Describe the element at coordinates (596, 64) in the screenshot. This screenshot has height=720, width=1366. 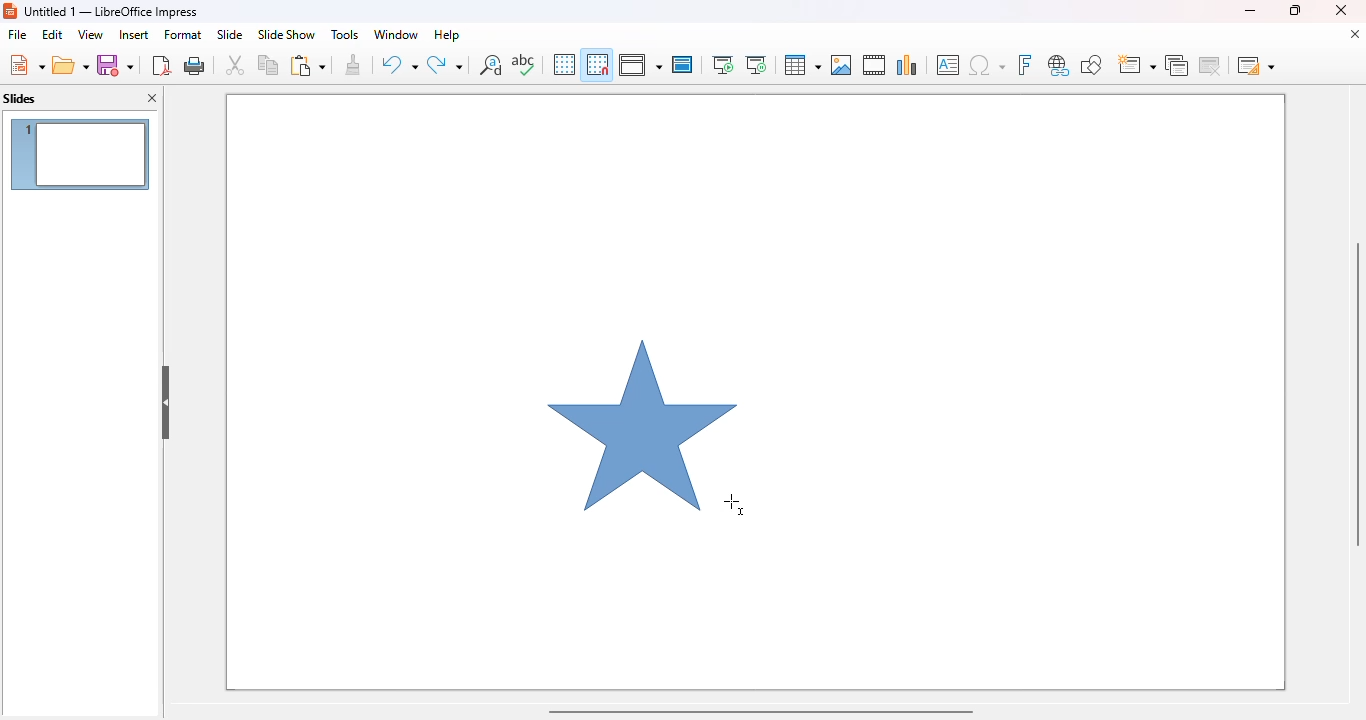
I see `snap to grid` at that location.